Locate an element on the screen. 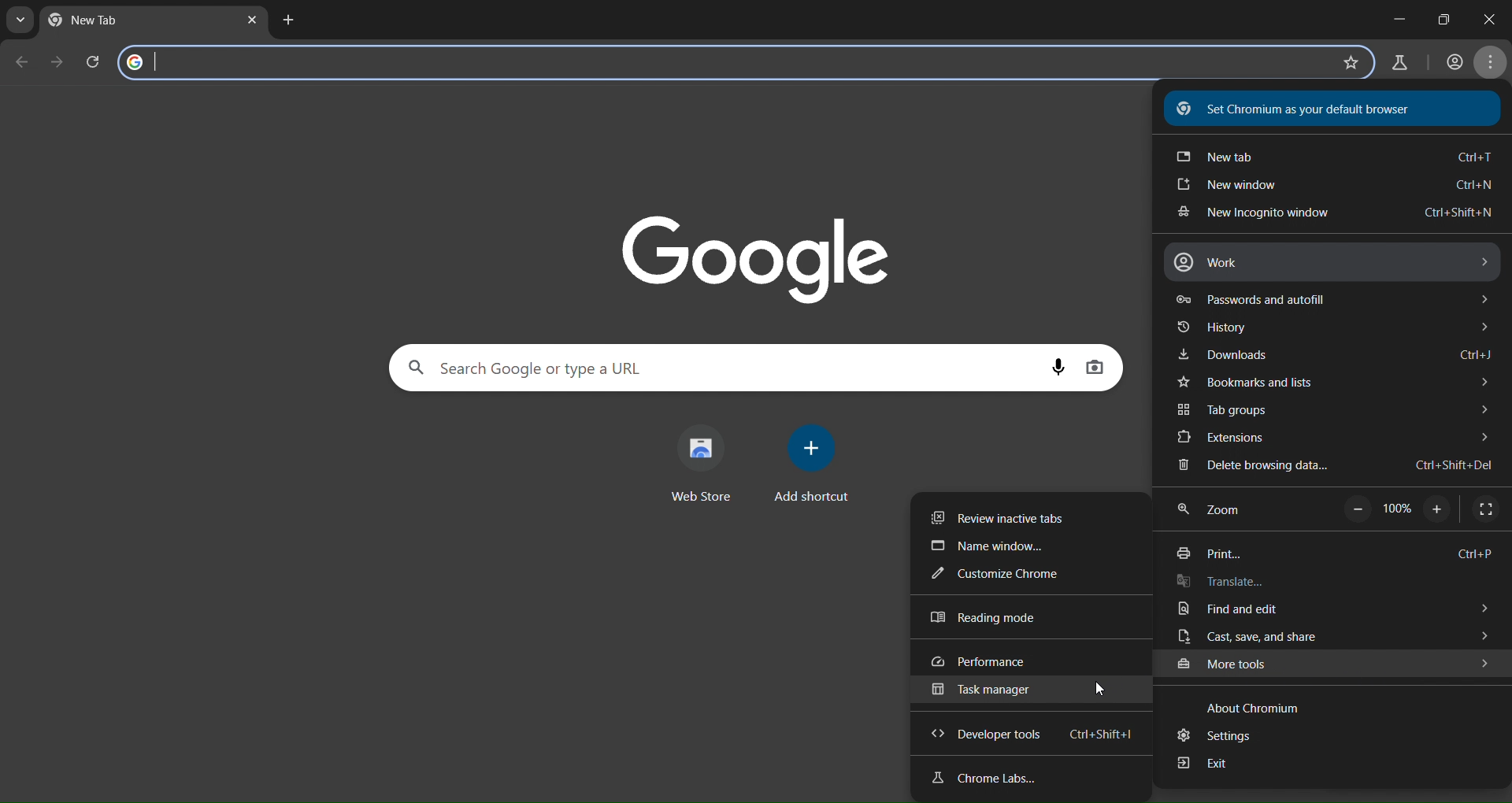 This screenshot has width=1512, height=803. add shortcut is located at coordinates (813, 465).